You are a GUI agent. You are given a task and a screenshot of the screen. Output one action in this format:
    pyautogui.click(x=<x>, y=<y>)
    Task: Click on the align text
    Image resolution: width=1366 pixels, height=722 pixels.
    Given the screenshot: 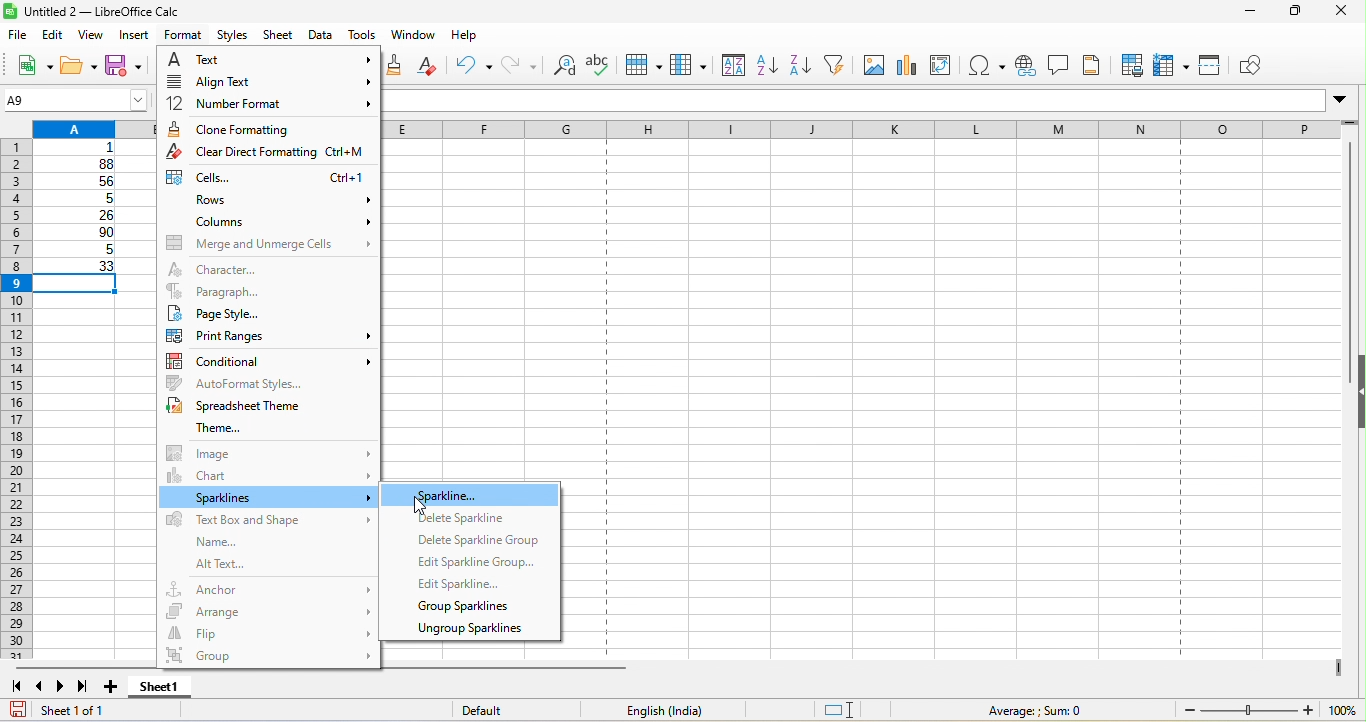 What is the action you would take?
    pyautogui.click(x=265, y=84)
    